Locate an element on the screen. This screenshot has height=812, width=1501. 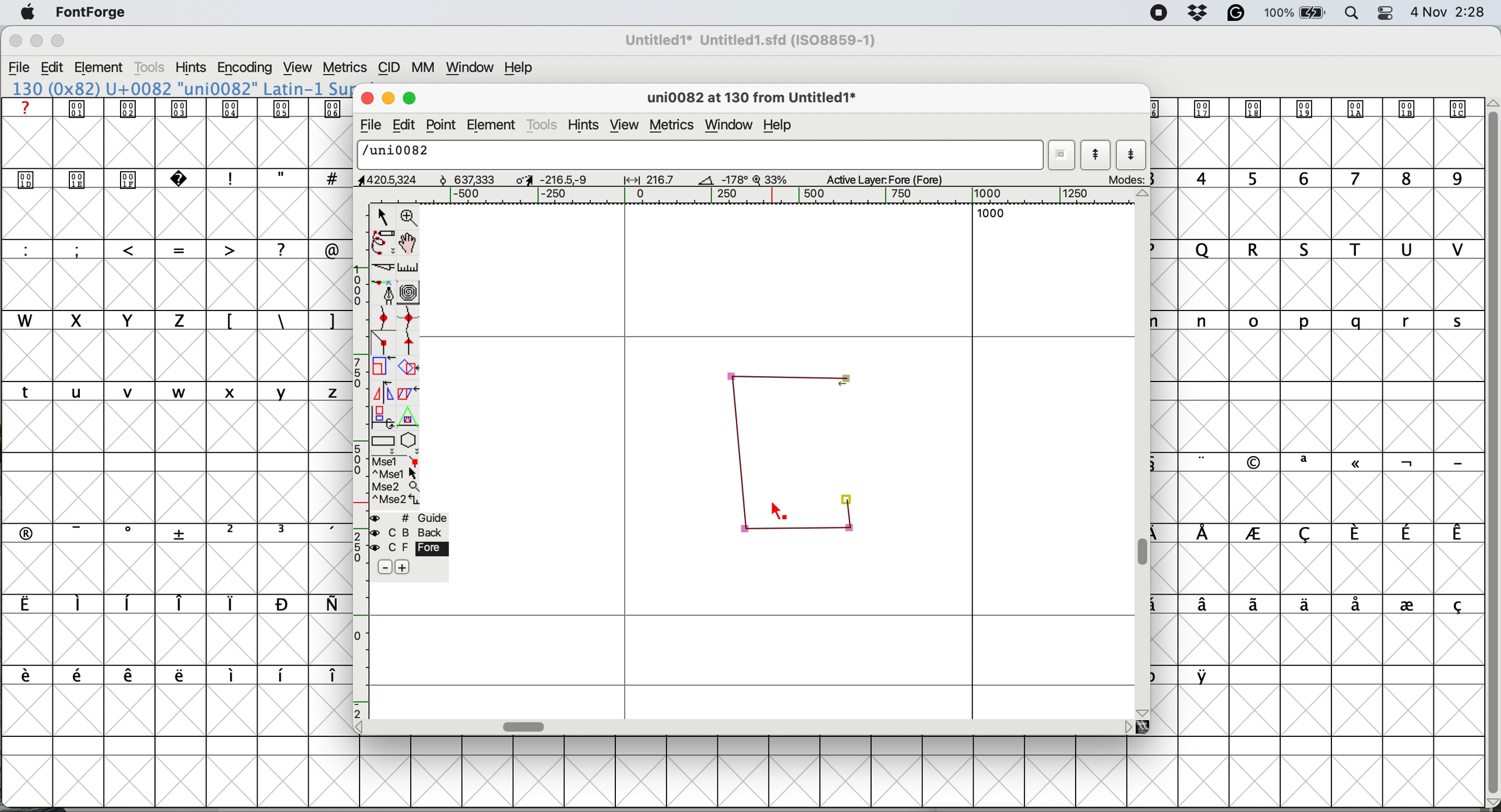
dimensions is located at coordinates (541, 179).